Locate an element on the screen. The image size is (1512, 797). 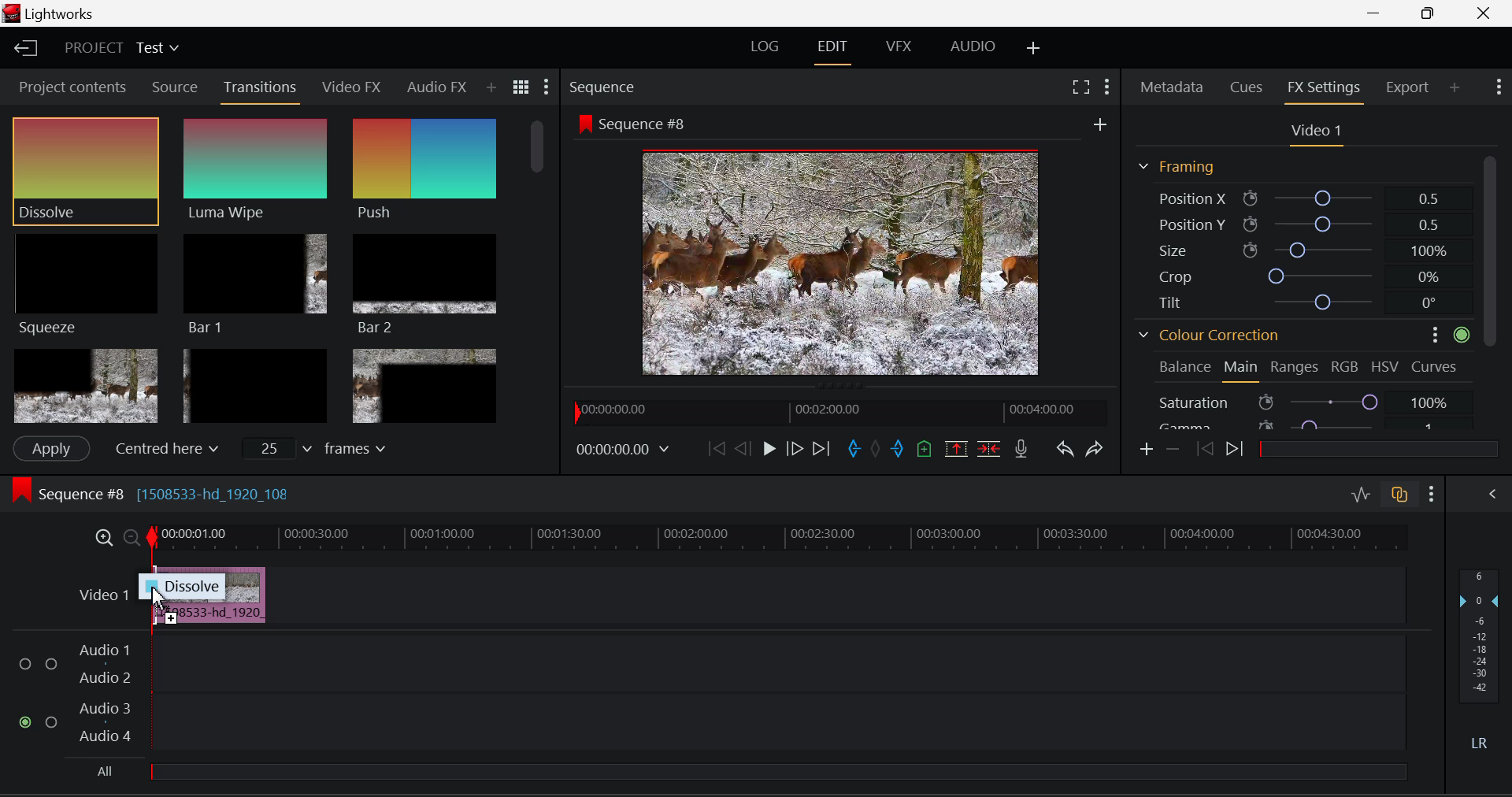
Audio Input Checkbox is located at coordinates (24, 721).